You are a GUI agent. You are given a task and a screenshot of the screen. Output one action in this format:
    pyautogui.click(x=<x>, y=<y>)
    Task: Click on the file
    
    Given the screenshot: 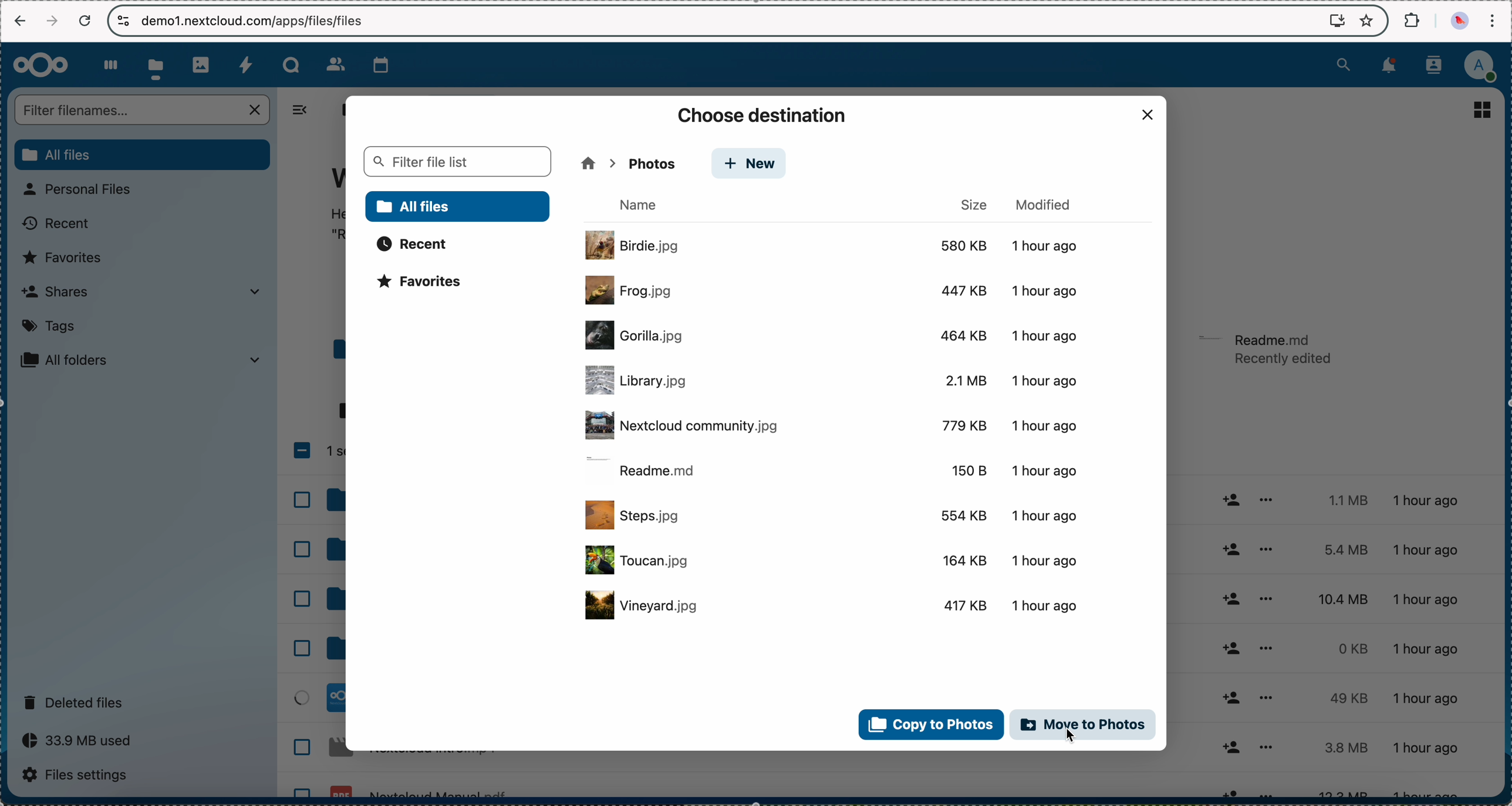 What is the action you would take?
    pyautogui.click(x=836, y=425)
    